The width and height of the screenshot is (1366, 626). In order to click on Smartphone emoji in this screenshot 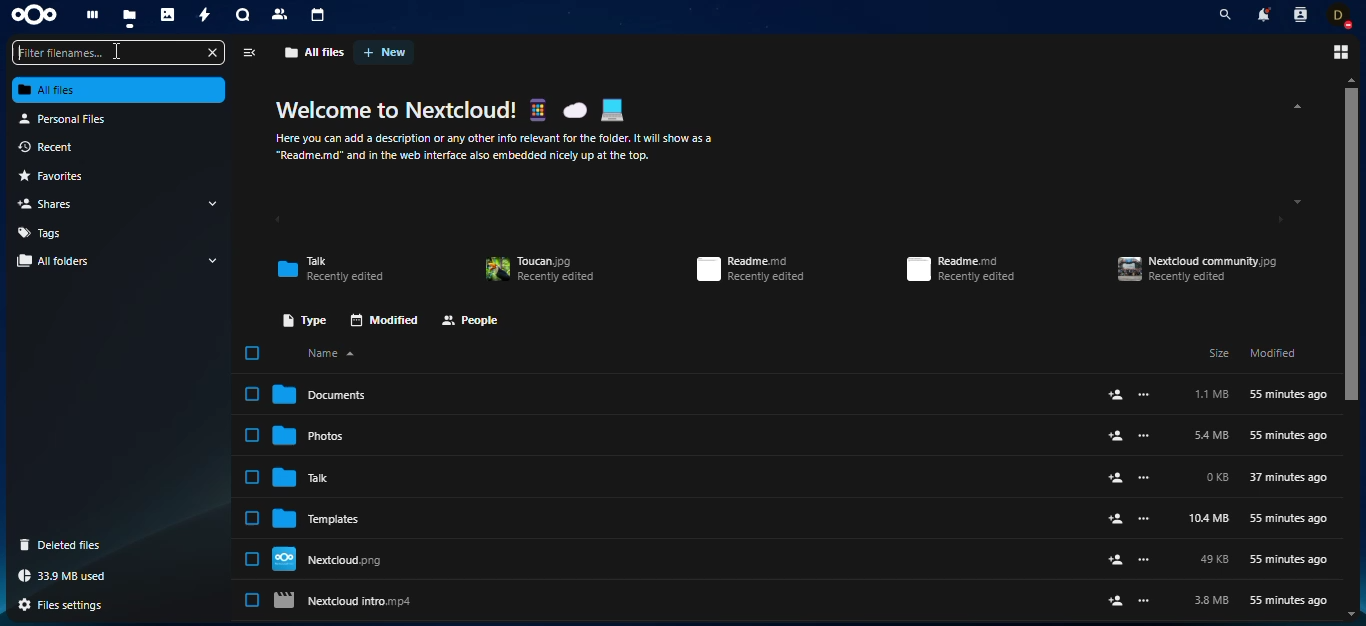, I will do `click(537, 109)`.